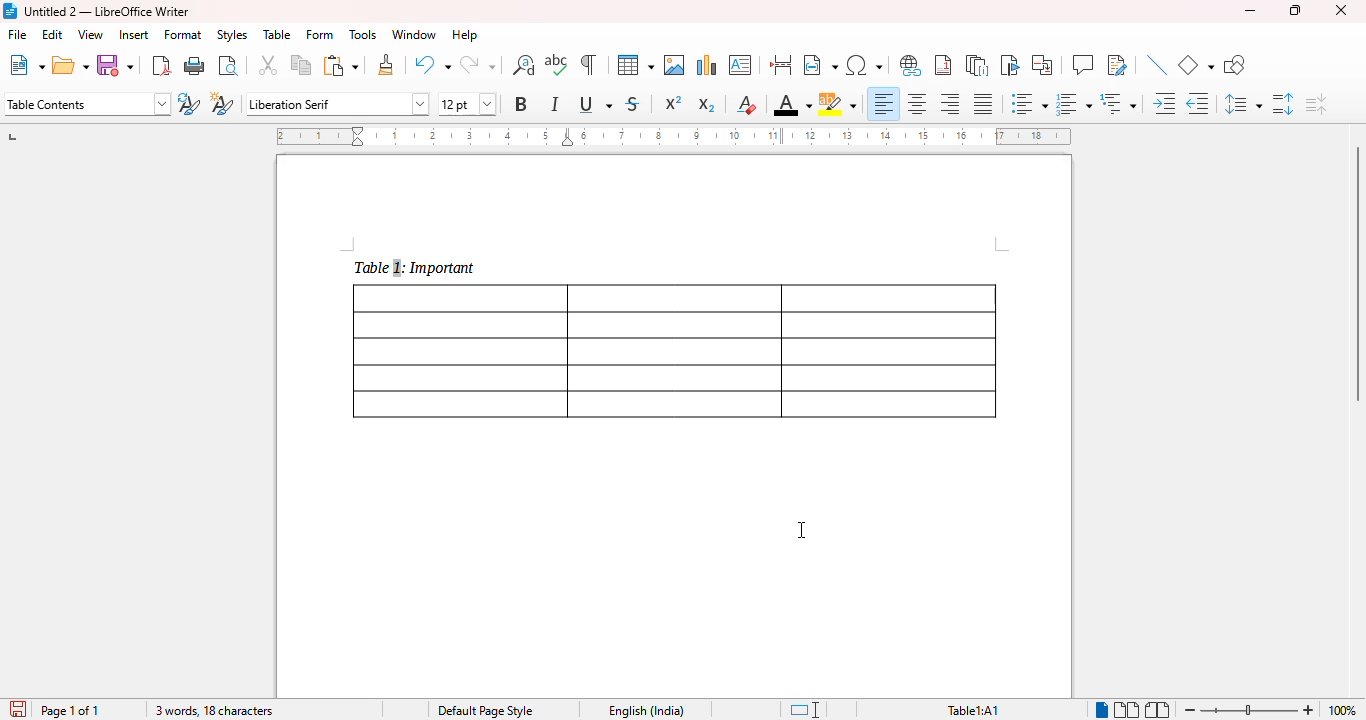 This screenshot has height=720, width=1366. I want to click on standard selection, so click(806, 710).